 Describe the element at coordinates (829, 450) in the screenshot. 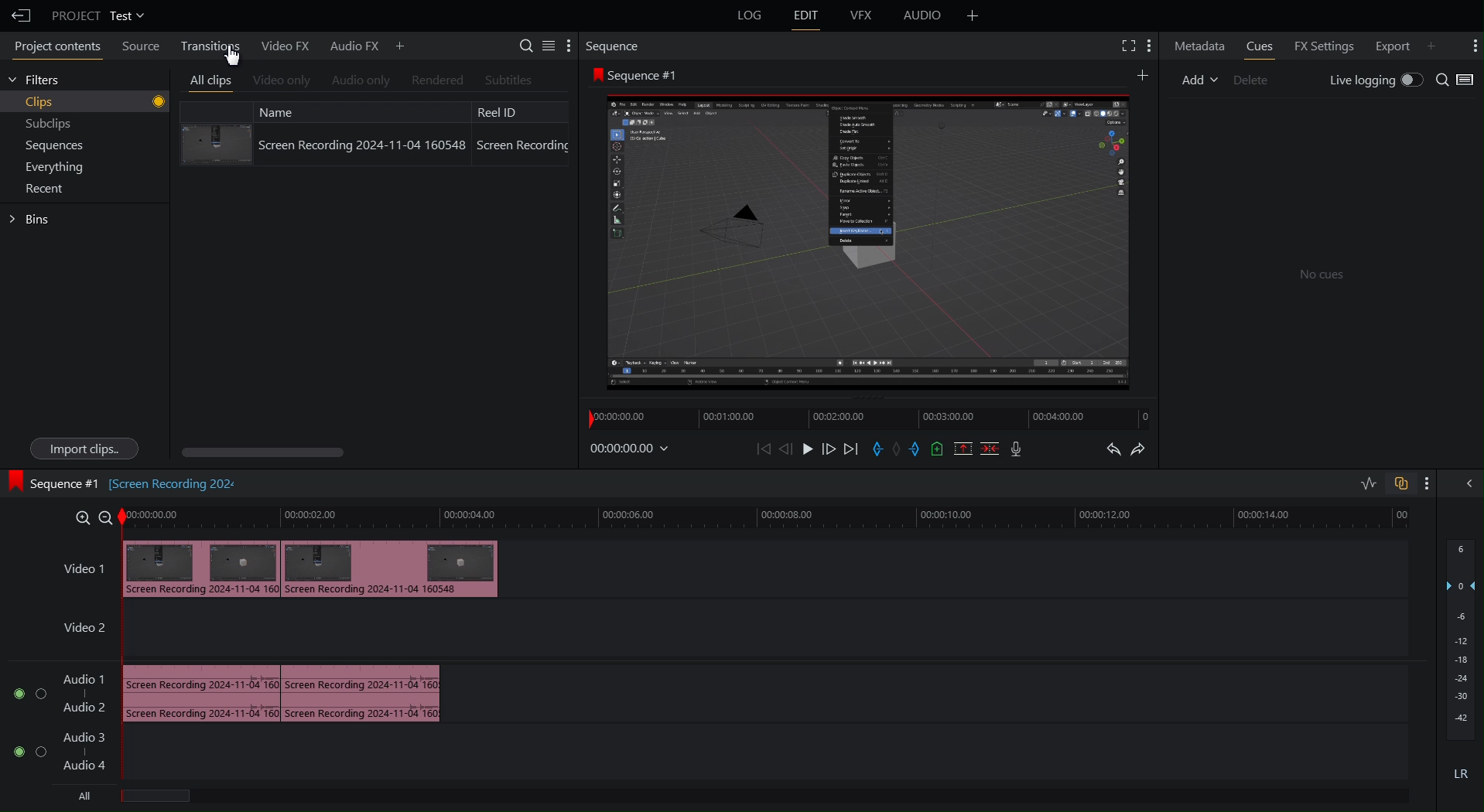

I see `Move Forward` at that location.